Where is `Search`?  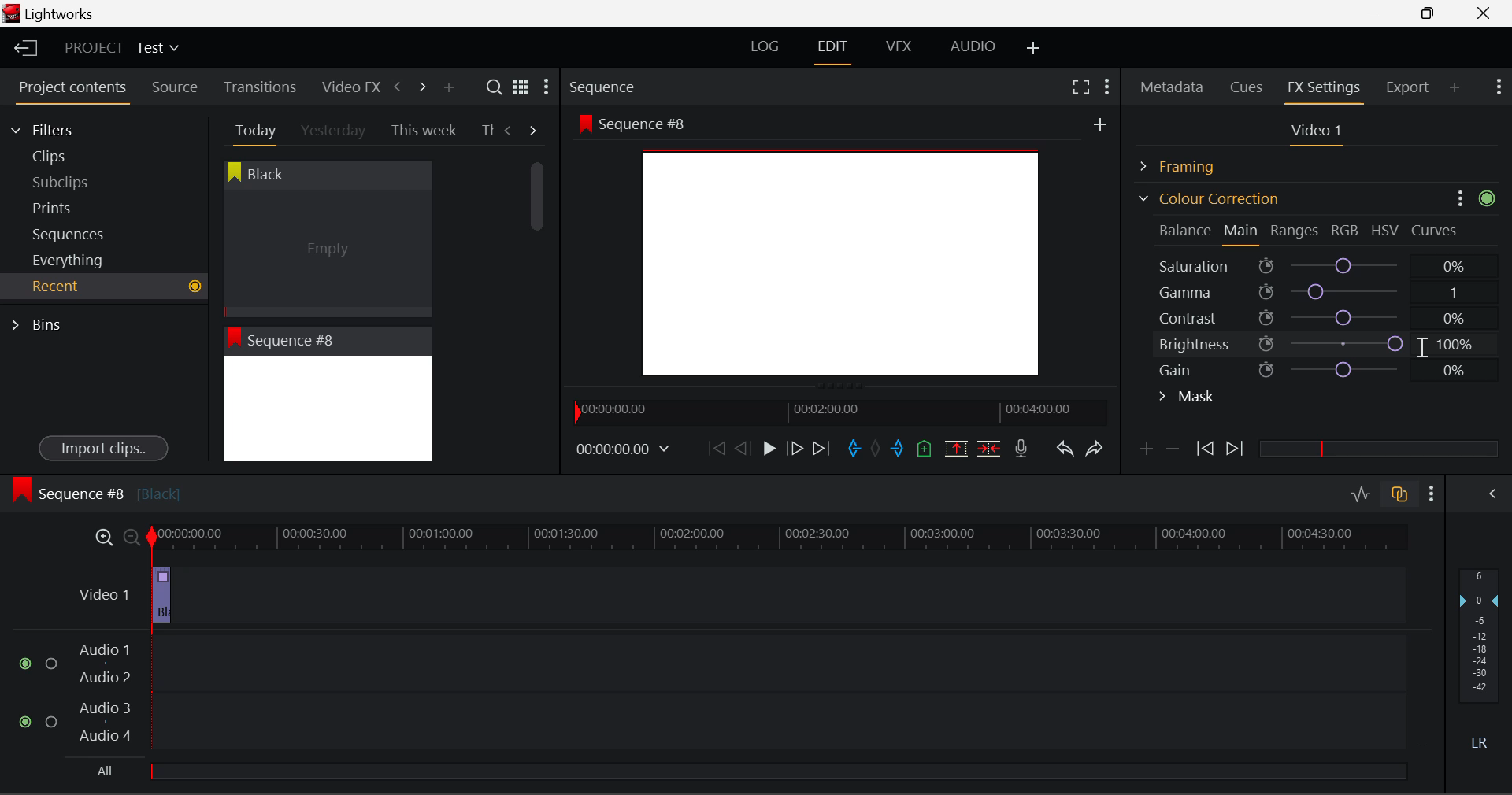 Search is located at coordinates (496, 87).